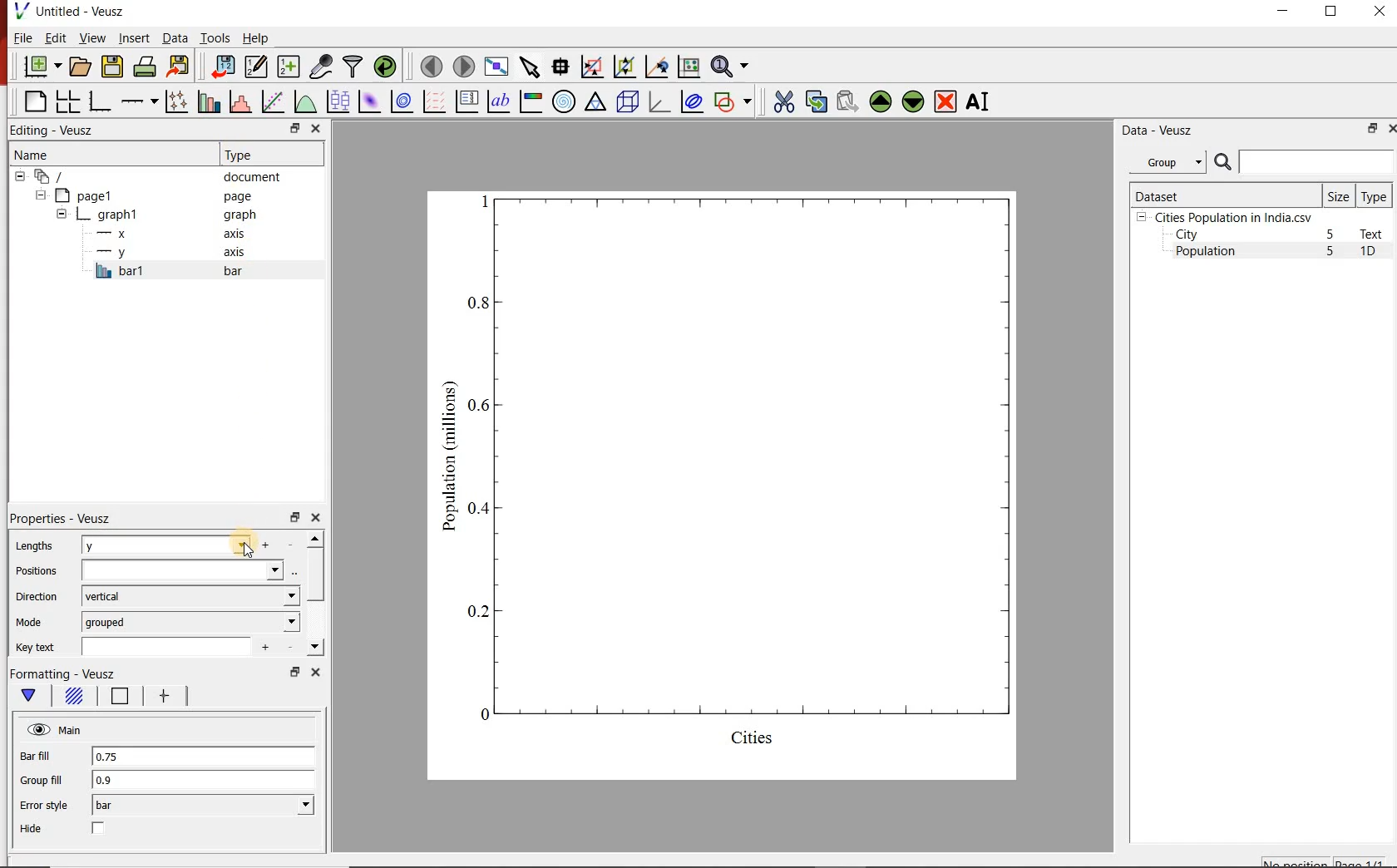 This screenshot has height=868, width=1397. I want to click on text label, so click(498, 101).